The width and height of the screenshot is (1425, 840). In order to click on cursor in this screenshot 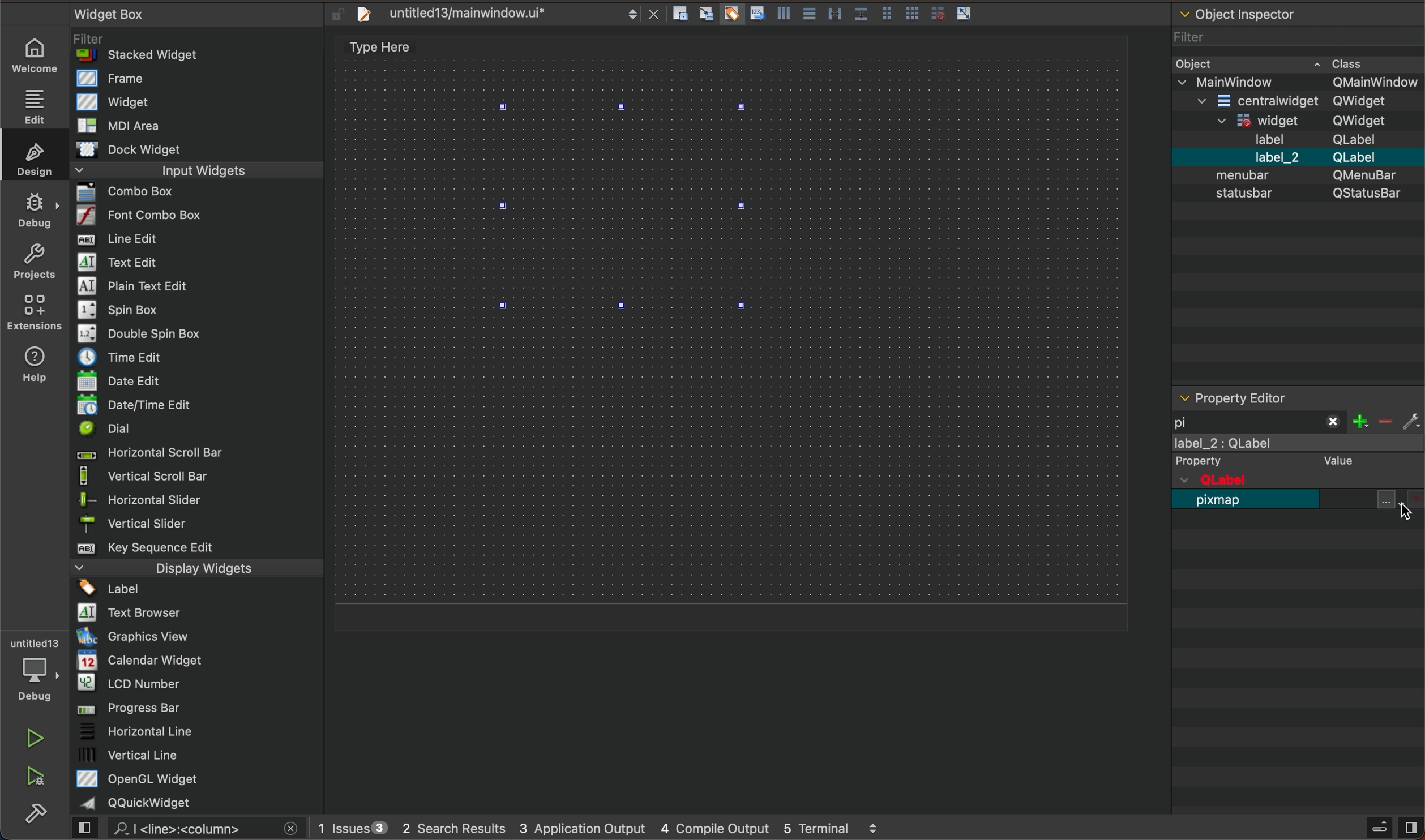, I will do `click(1401, 518)`.